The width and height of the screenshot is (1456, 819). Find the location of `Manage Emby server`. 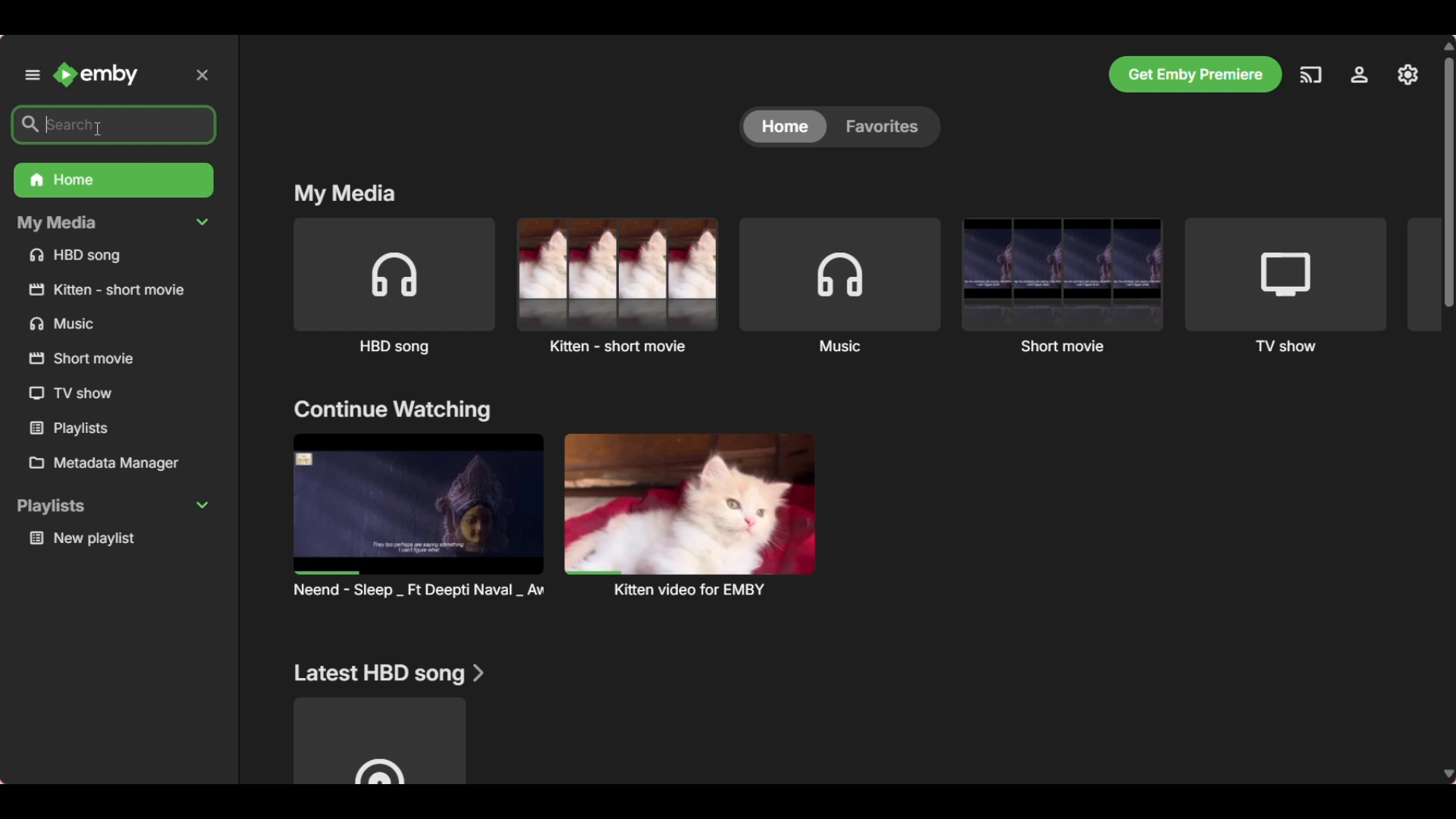

Manage Emby server is located at coordinates (1408, 74).